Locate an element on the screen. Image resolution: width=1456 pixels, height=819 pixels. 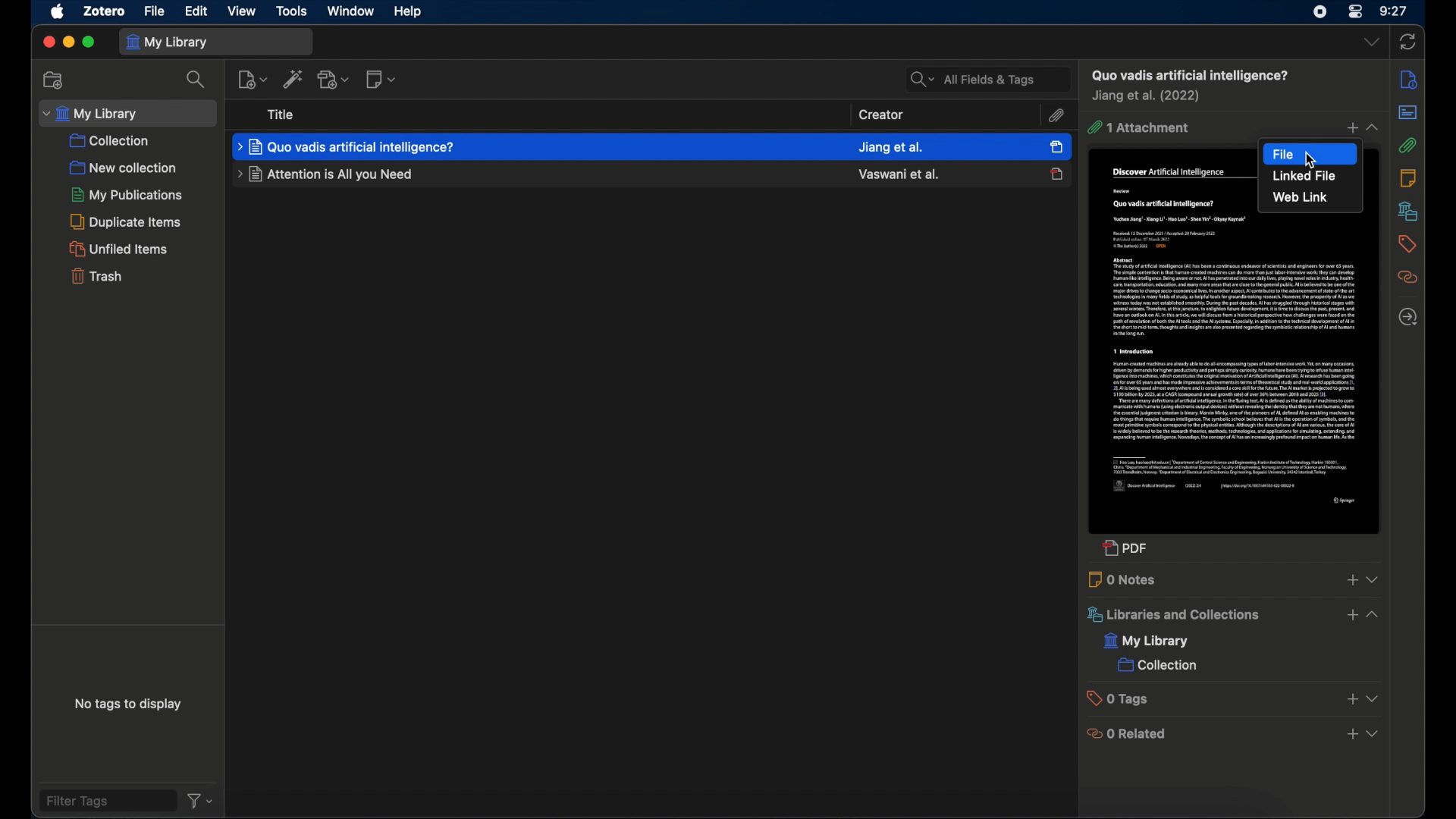
file is located at coordinates (1310, 153).